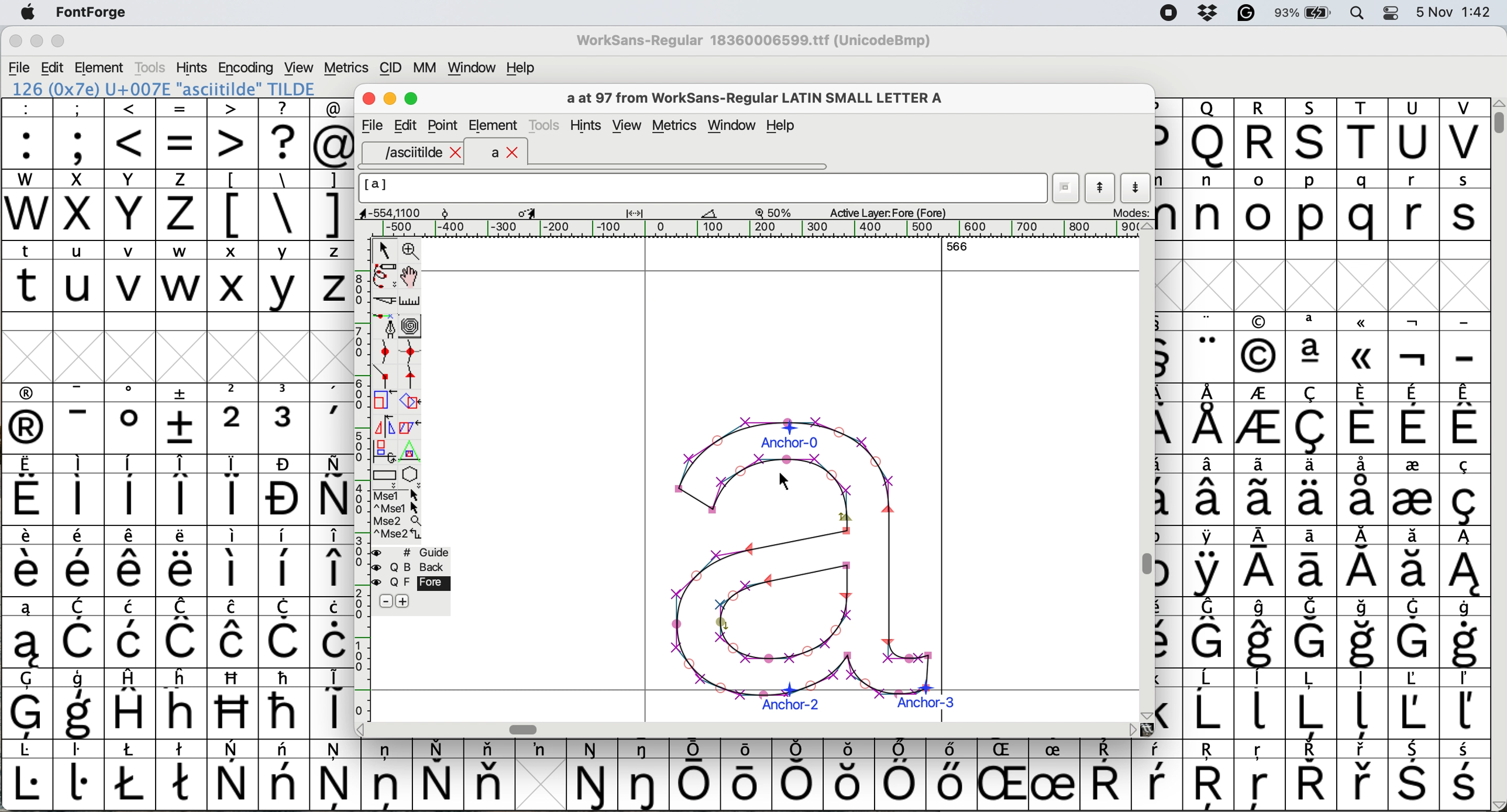  What do you see at coordinates (957, 246) in the screenshot?
I see `566` at bounding box center [957, 246].